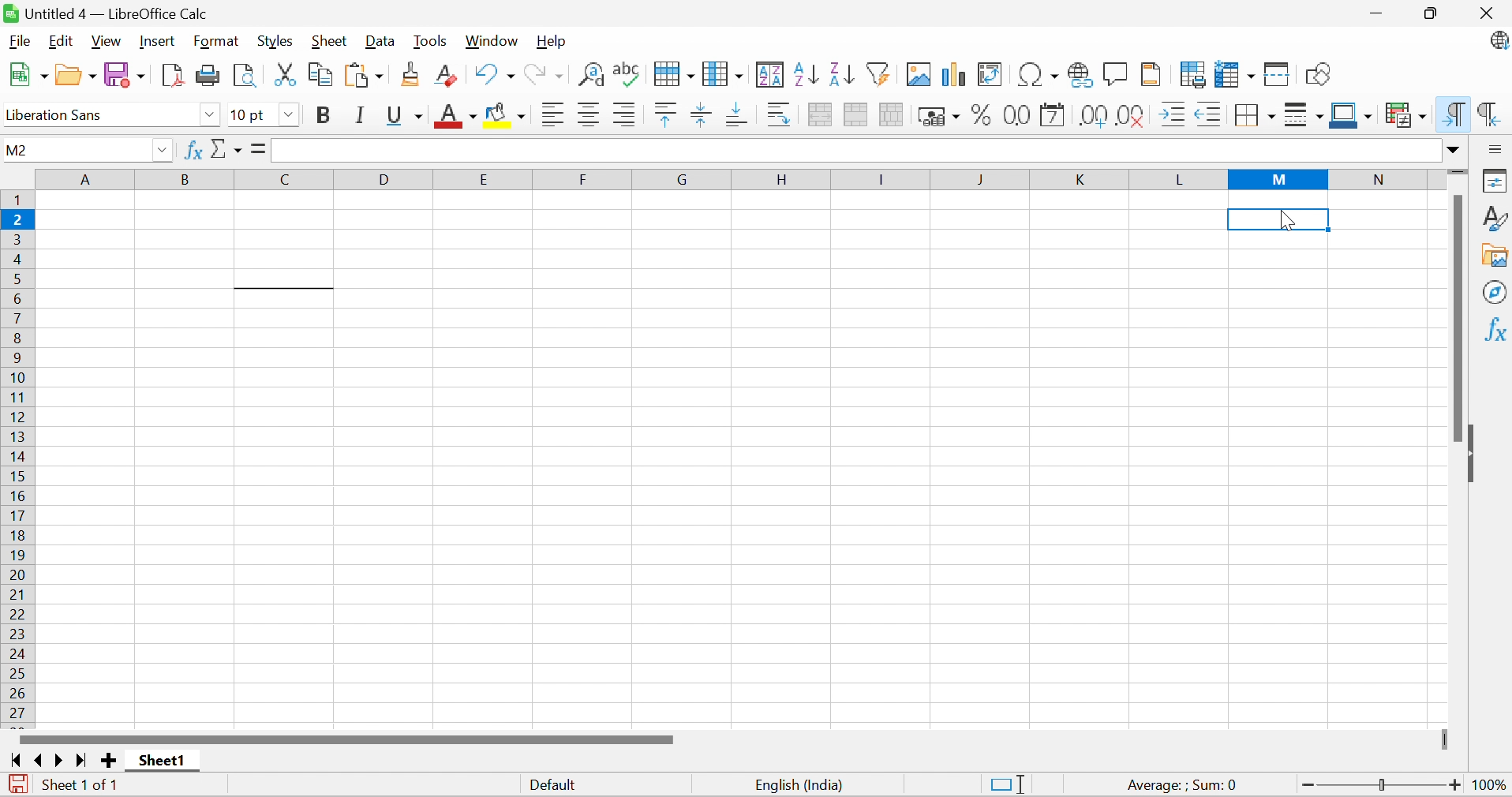 Image resolution: width=1512 pixels, height=797 pixels. What do you see at coordinates (1379, 16) in the screenshot?
I see `Minimize` at bounding box center [1379, 16].